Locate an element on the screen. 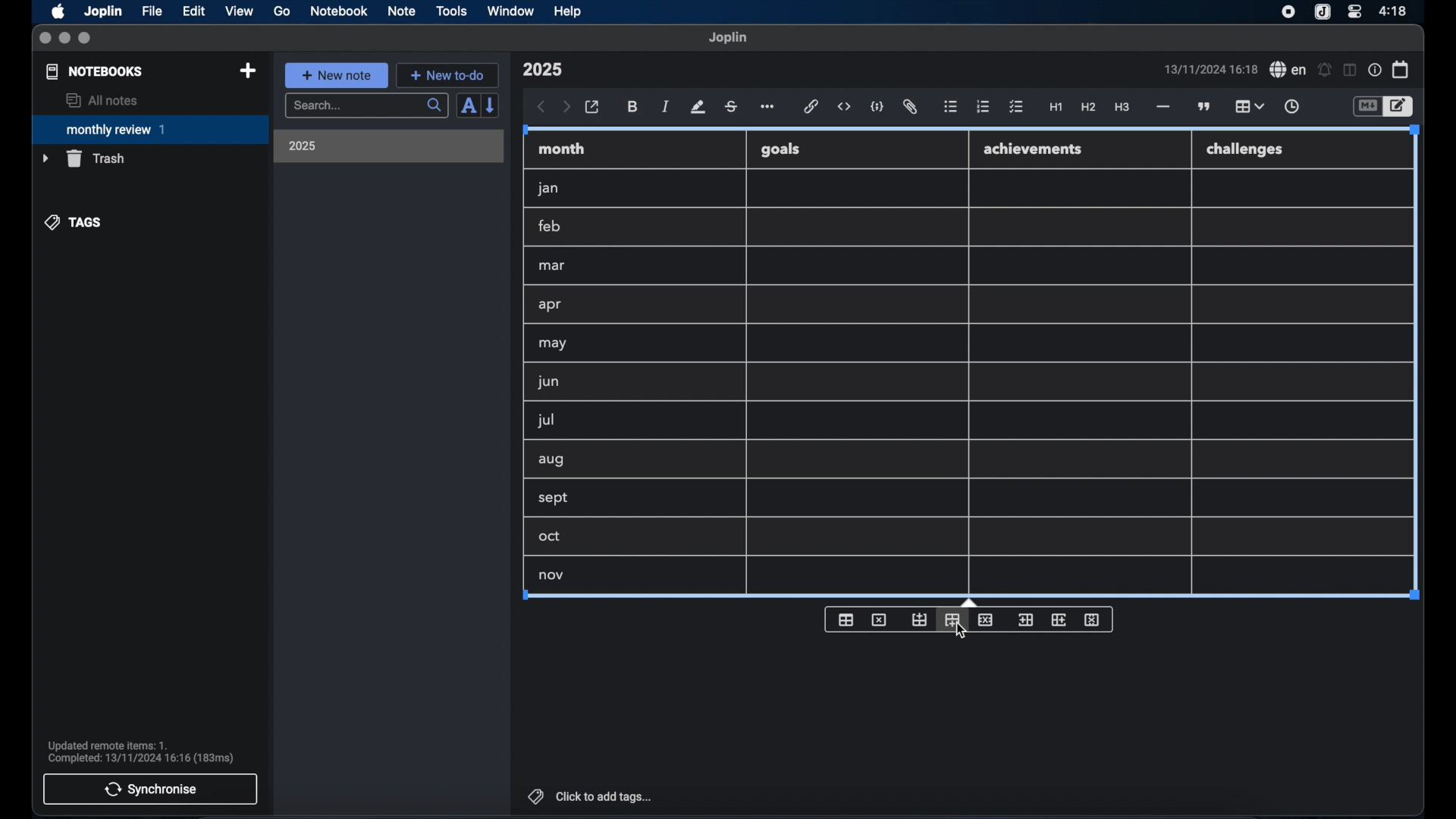 The width and height of the screenshot is (1456, 819). calendar is located at coordinates (1401, 69).